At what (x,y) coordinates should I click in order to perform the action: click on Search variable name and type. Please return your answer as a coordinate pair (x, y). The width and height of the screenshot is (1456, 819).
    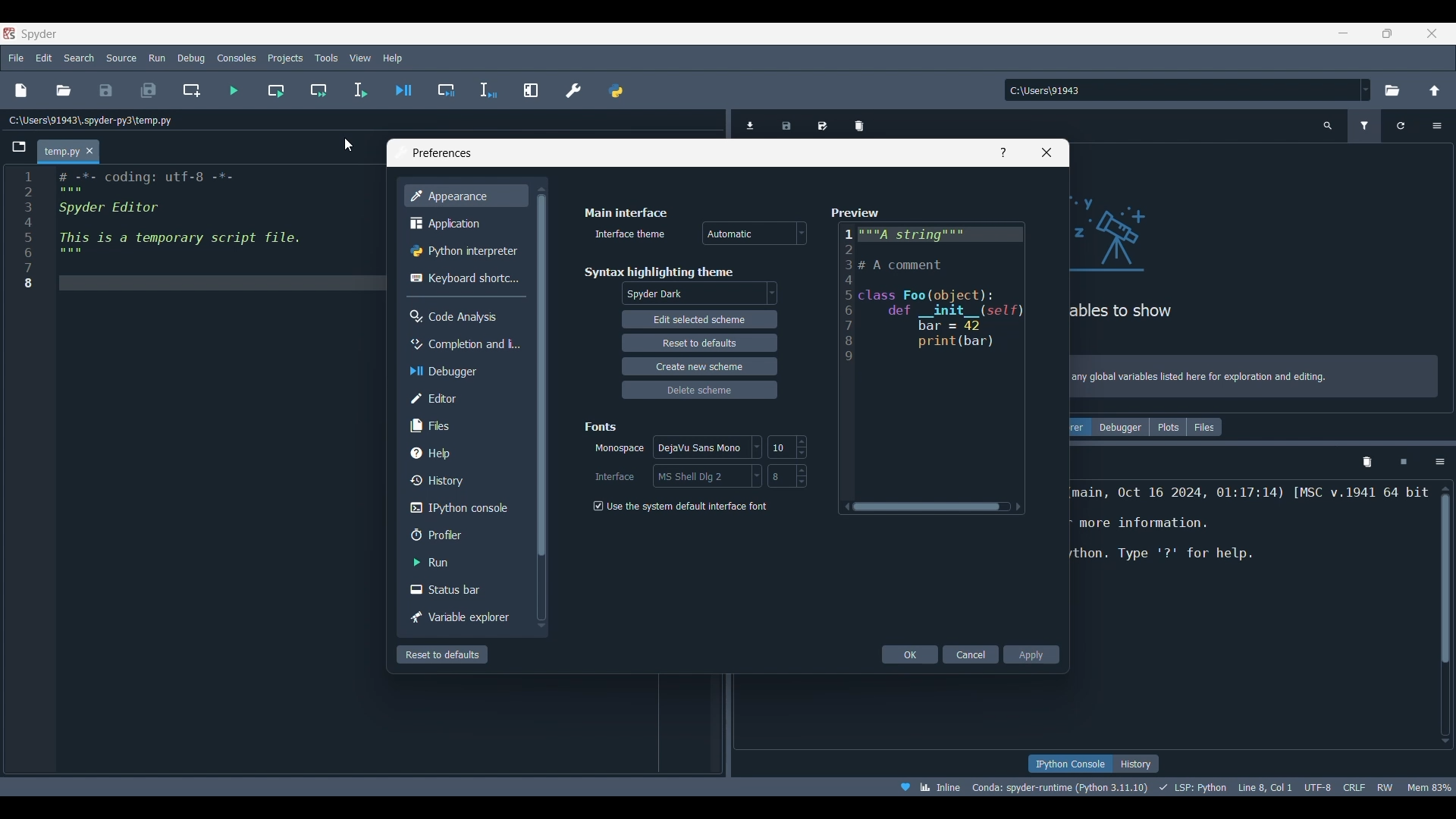
    Looking at the image, I should click on (1328, 126).